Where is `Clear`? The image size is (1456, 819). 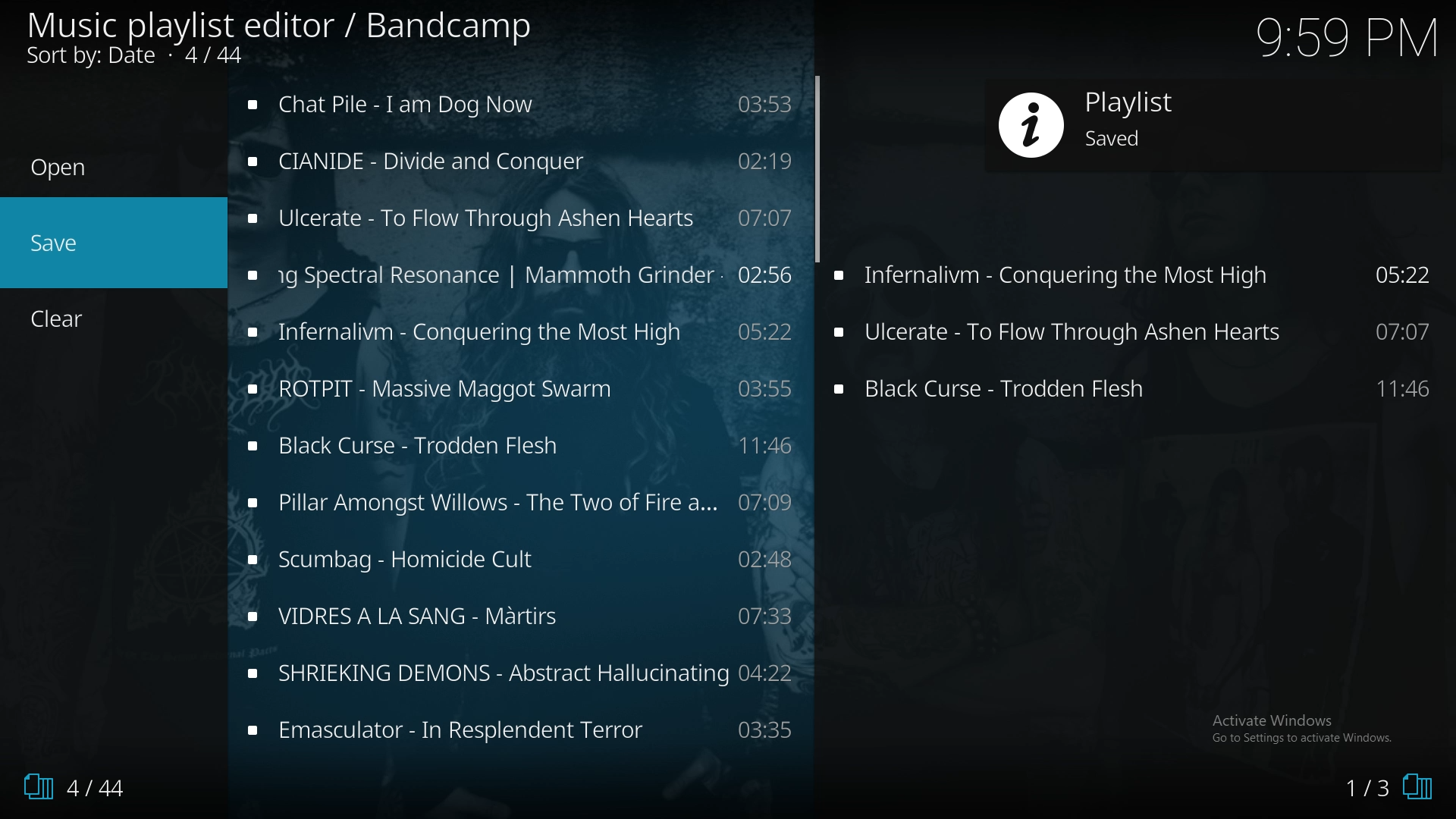
Clear is located at coordinates (66, 319).